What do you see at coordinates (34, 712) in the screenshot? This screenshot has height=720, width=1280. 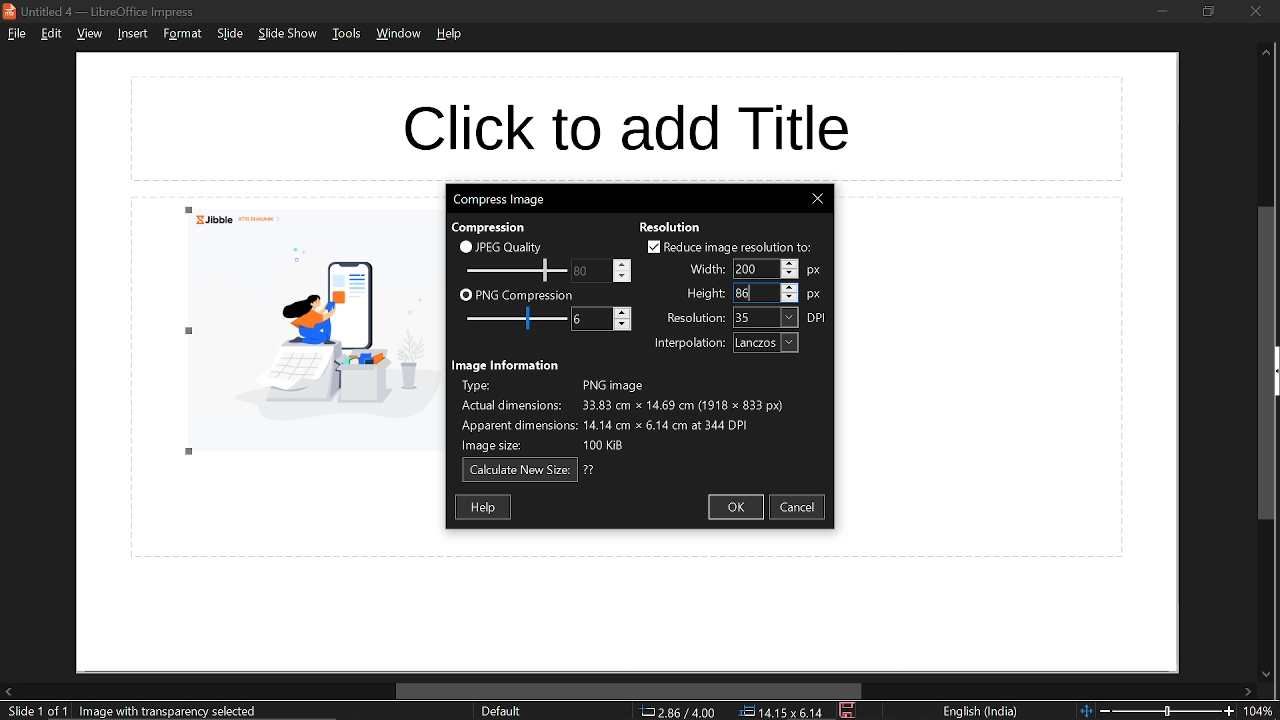 I see `current slide` at bounding box center [34, 712].